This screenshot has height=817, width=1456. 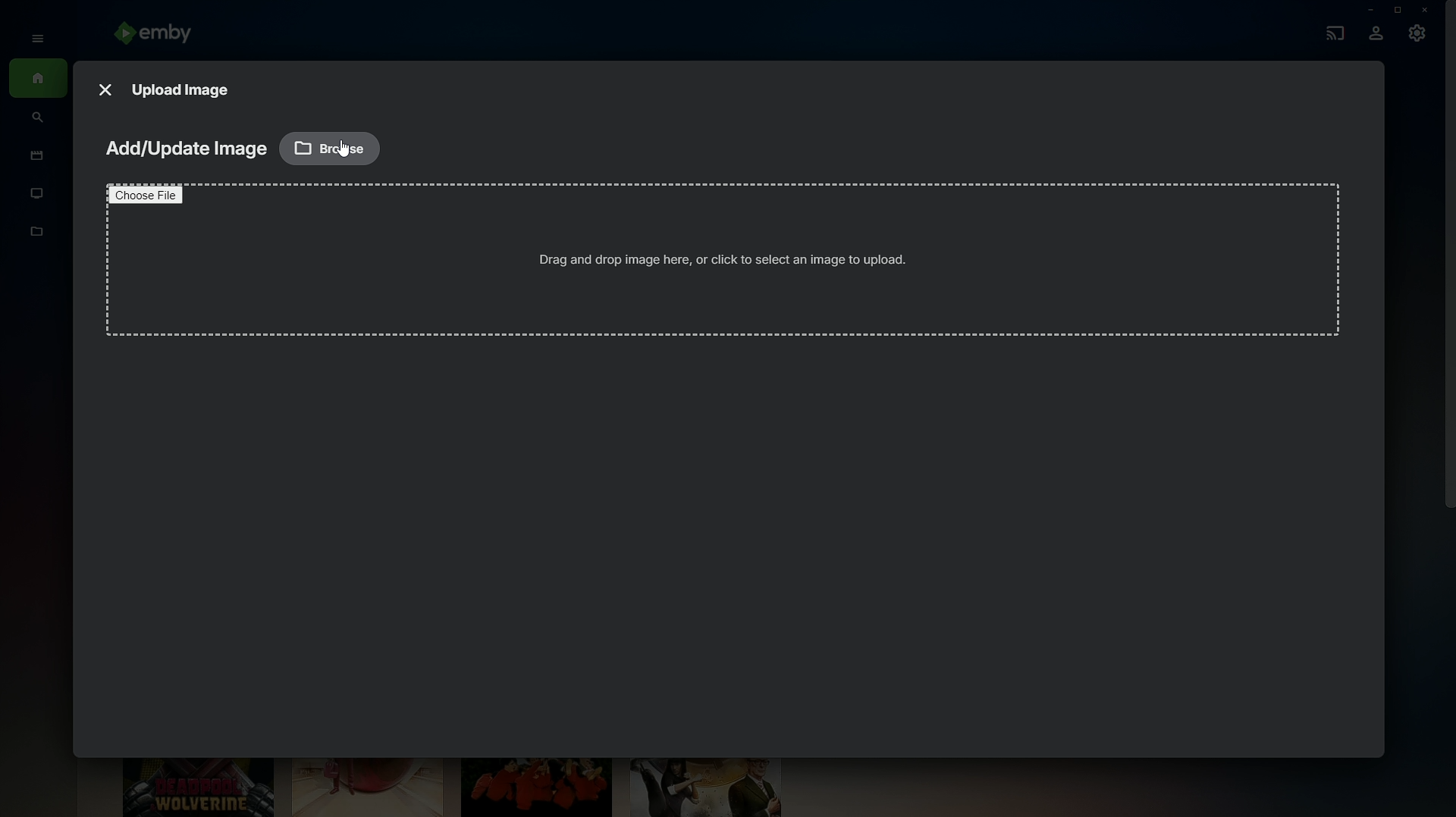 What do you see at coordinates (1418, 37) in the screenshot?
I see `Settings` at bounding box center [1418, 37].